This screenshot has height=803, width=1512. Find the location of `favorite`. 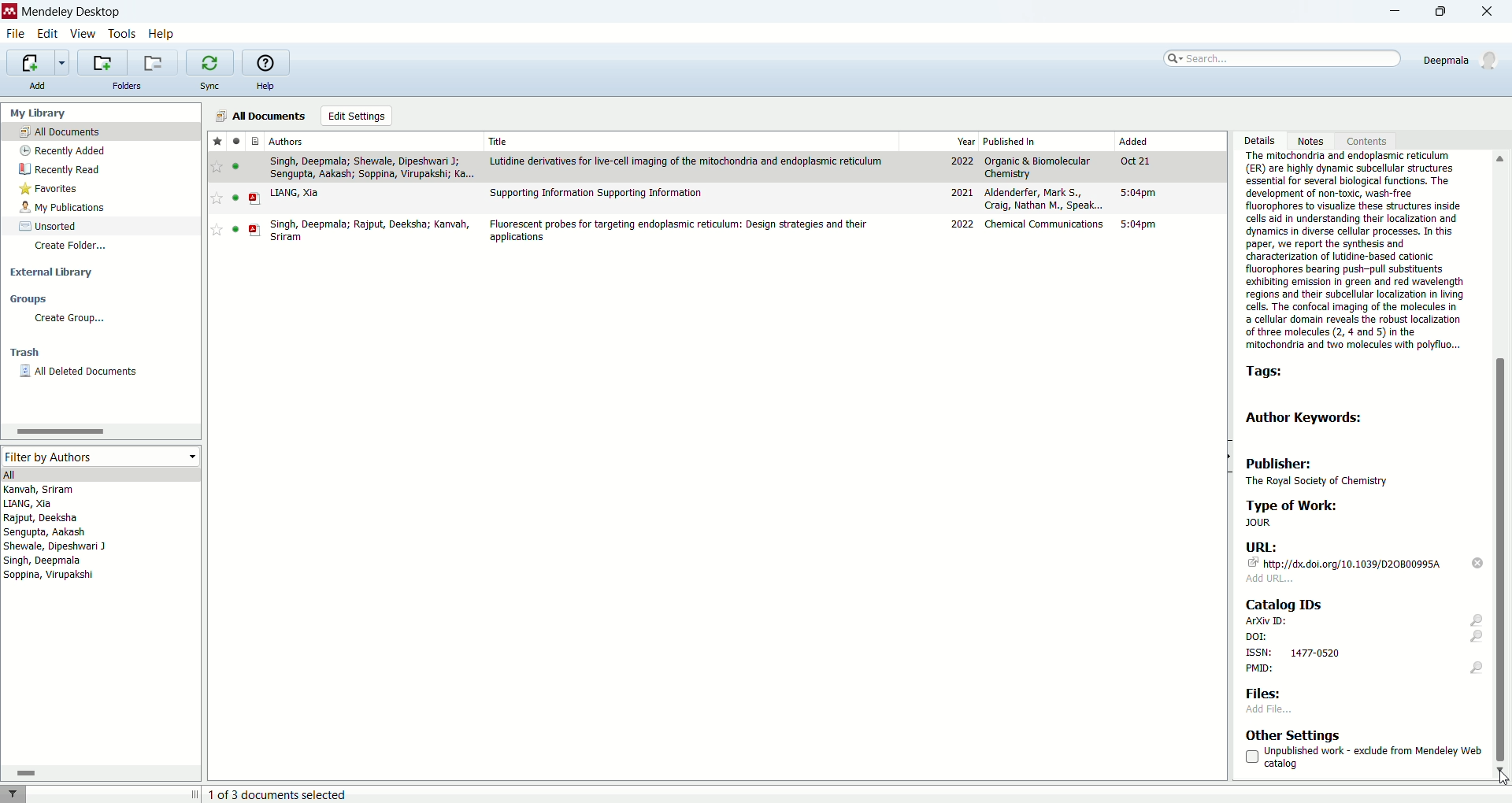

favorite is located at coordinates (217, 167).